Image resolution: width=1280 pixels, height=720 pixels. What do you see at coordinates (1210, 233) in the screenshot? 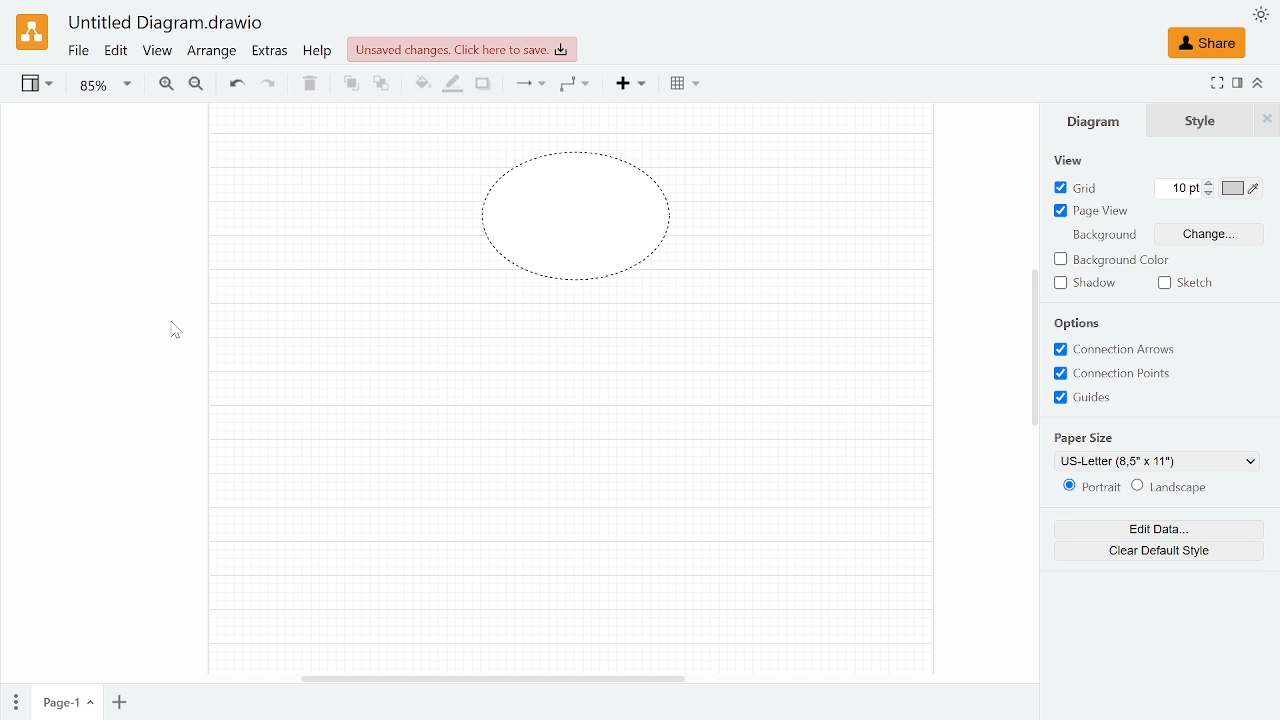
I see `Change` at bounding box center [1210, 233].